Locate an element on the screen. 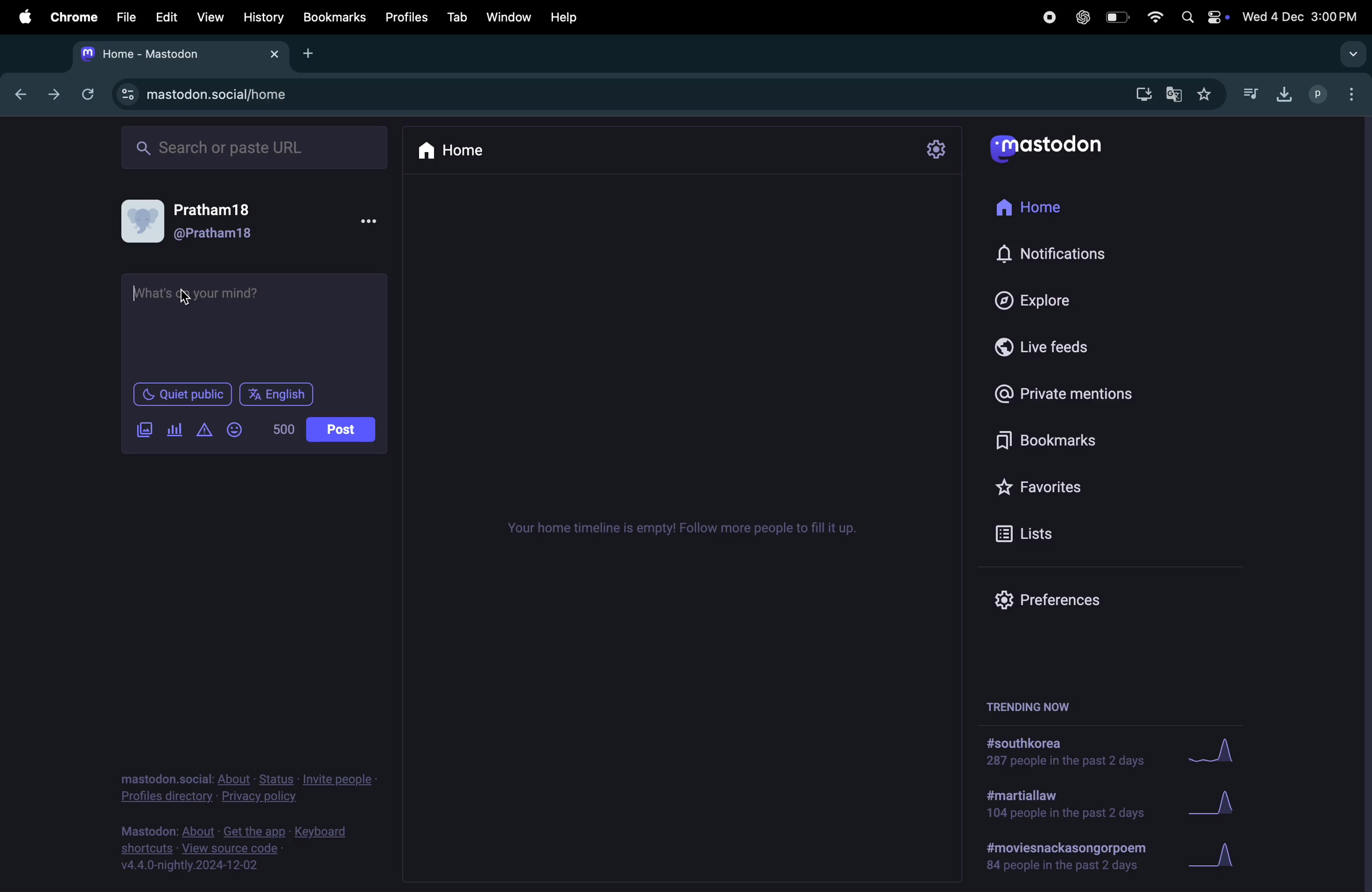 This screenshot has width=1372, height=892. wifi is located at coordinates (1153, 18).